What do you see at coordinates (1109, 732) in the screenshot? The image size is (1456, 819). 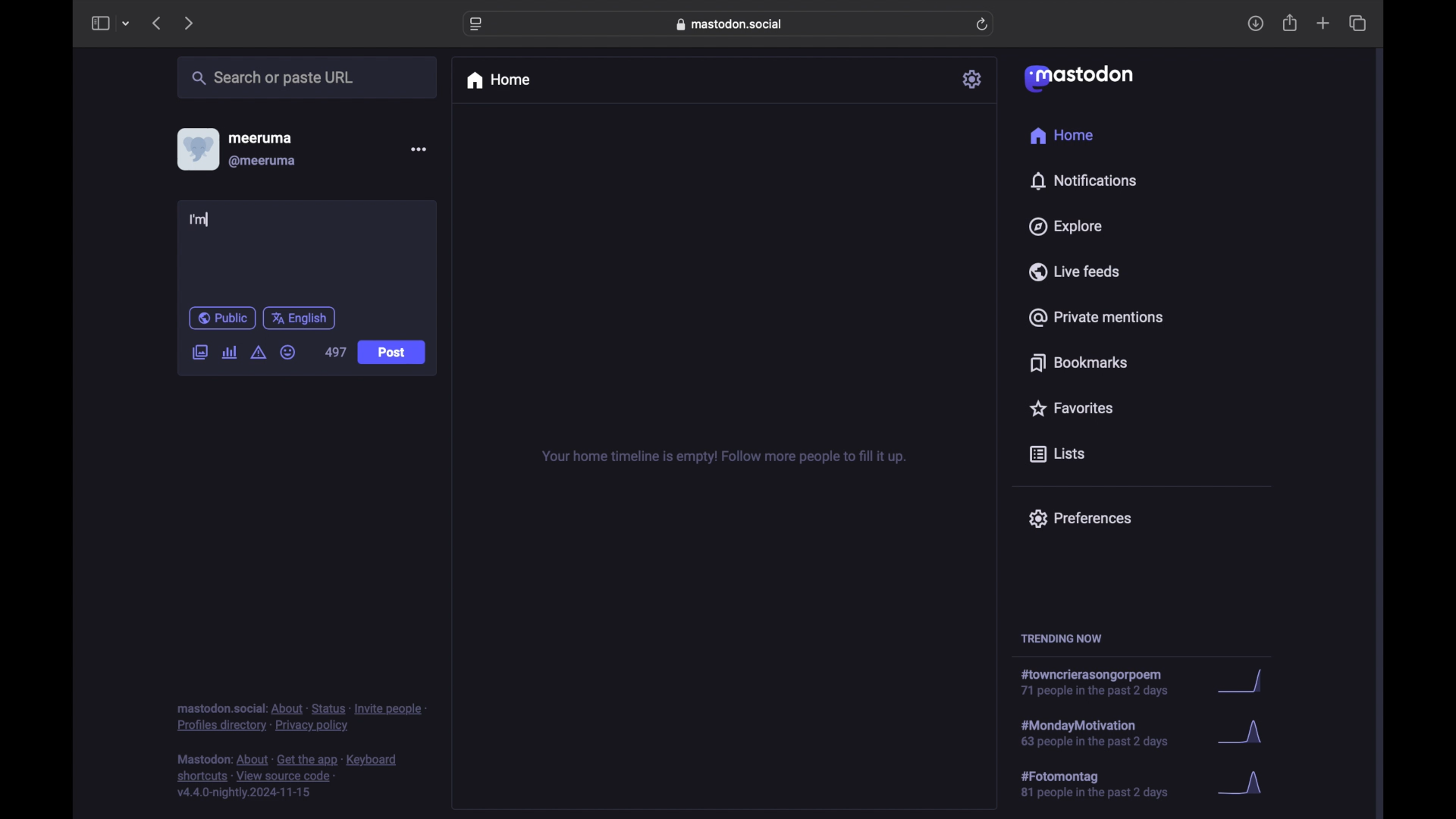 I see `hashtag  trend` at bounding box center [1109, 732].